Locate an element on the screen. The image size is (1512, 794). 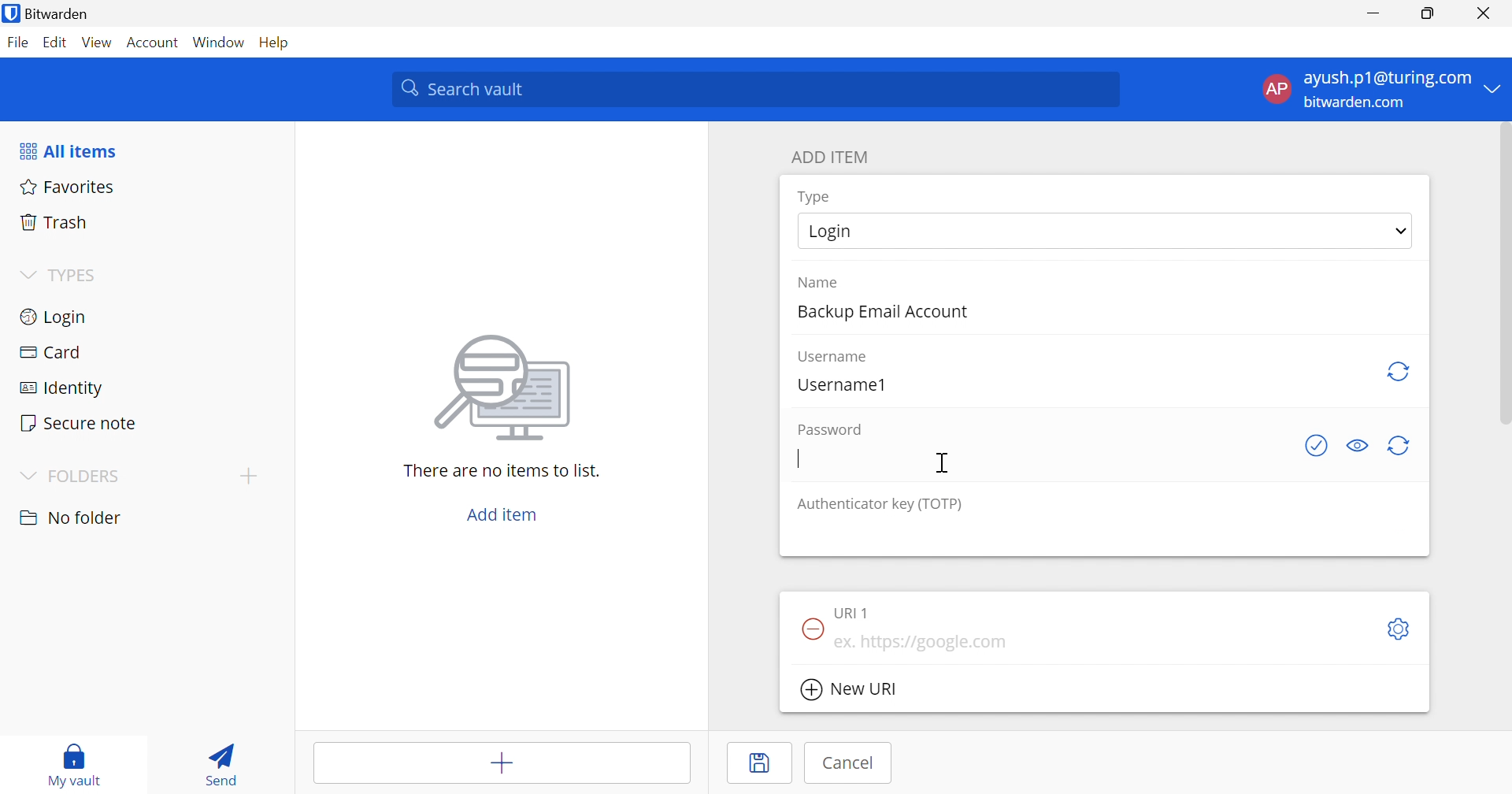
Cursor is located at coordinates (945, 462).